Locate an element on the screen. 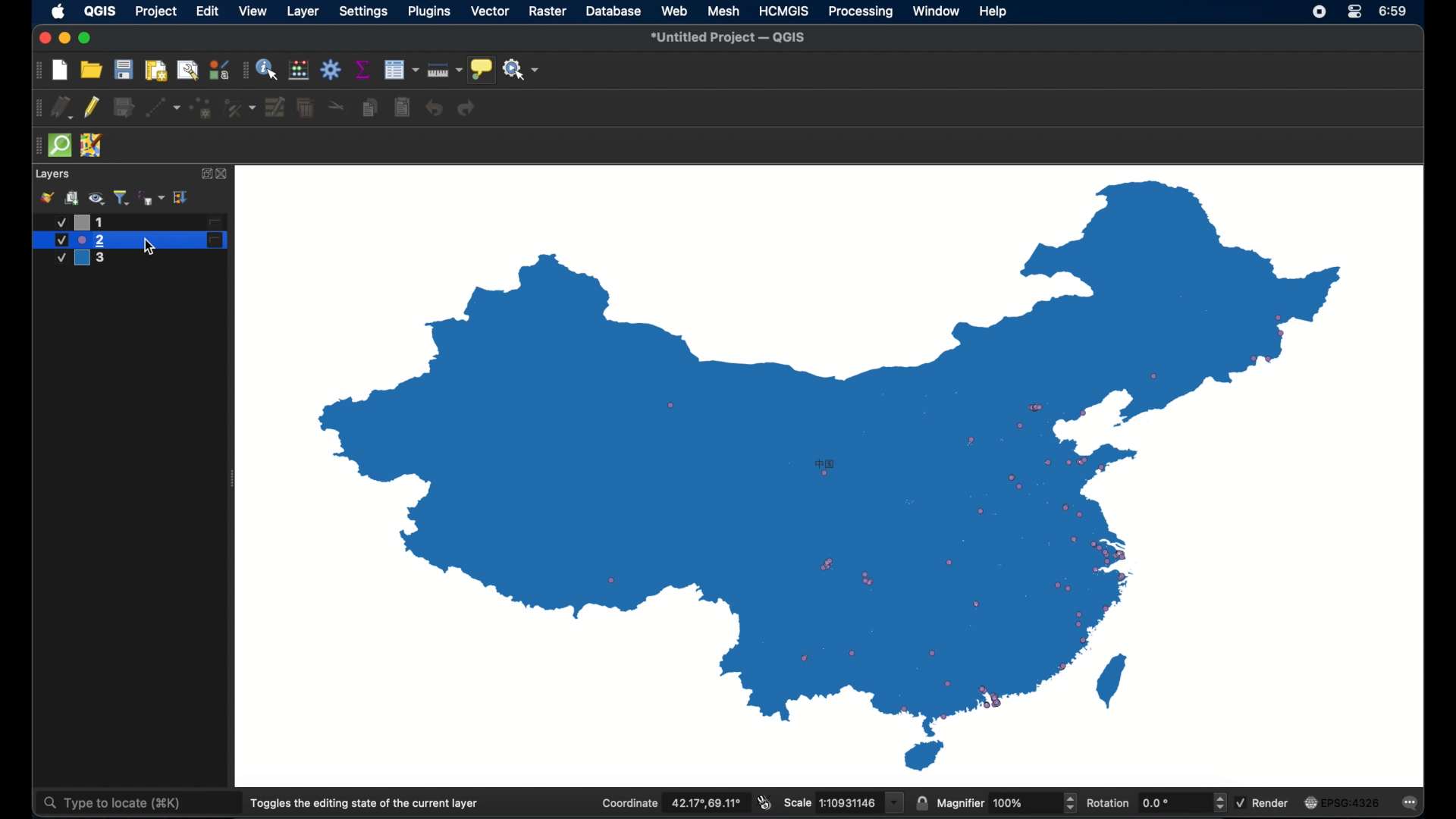  minimize is located at coordinates (64, 39).